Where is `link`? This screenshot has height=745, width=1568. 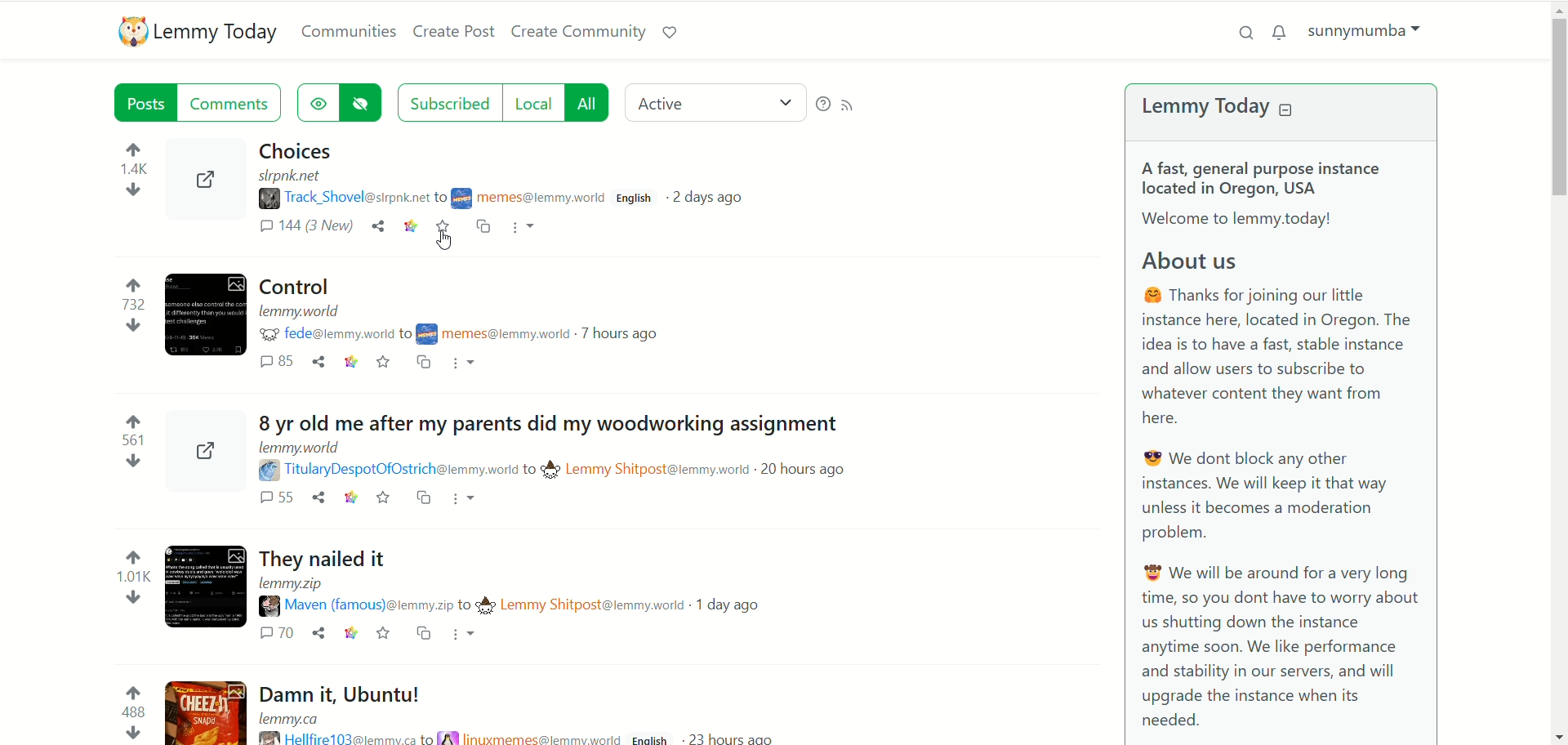 link is located at coordinates (350, 364).